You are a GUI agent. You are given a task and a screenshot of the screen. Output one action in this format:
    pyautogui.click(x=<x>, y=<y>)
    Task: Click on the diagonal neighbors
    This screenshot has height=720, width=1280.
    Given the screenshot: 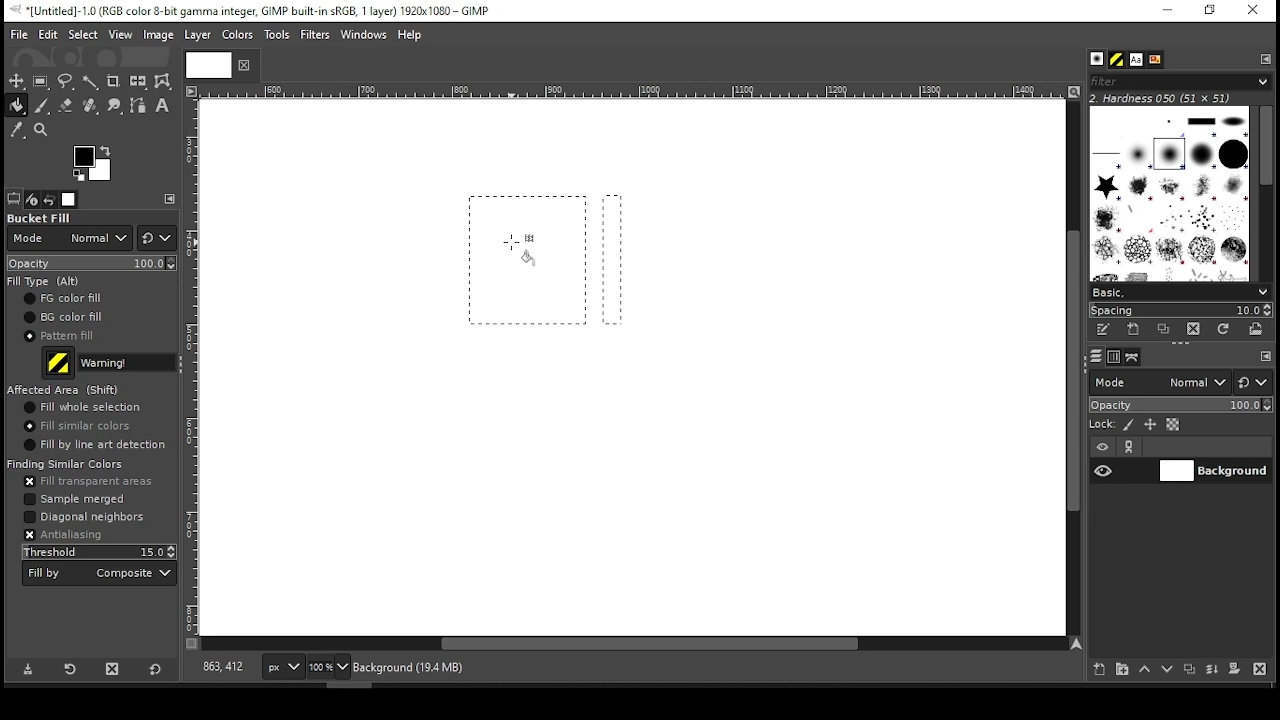 What is the action you would take?
    pyautogui.click(x=83, y=517)
    